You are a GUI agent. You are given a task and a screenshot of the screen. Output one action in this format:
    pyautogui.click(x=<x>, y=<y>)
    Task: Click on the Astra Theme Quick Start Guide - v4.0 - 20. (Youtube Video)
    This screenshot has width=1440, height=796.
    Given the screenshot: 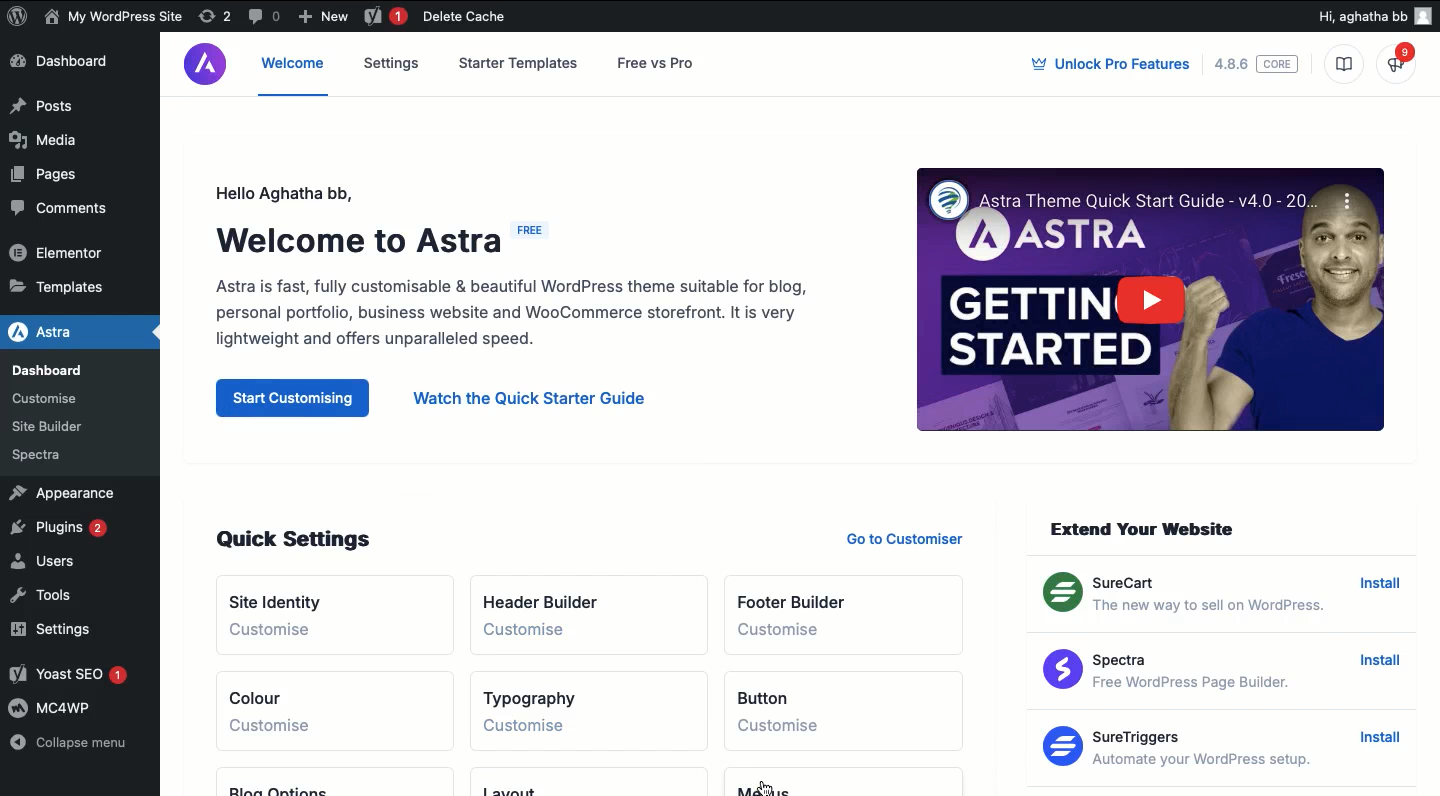 What is the action you would take?
    pyautogui.click(x=1144, y=301)
    